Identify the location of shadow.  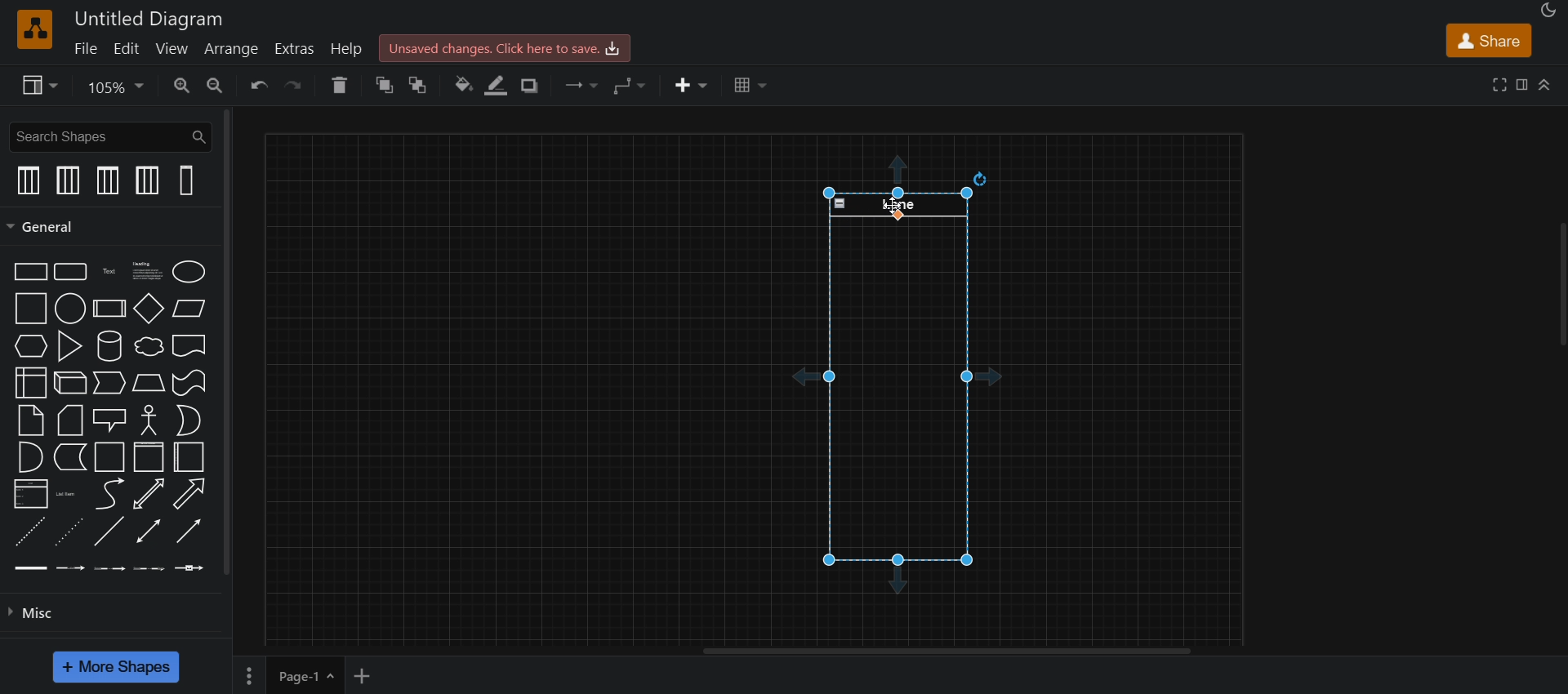
(536, 87).